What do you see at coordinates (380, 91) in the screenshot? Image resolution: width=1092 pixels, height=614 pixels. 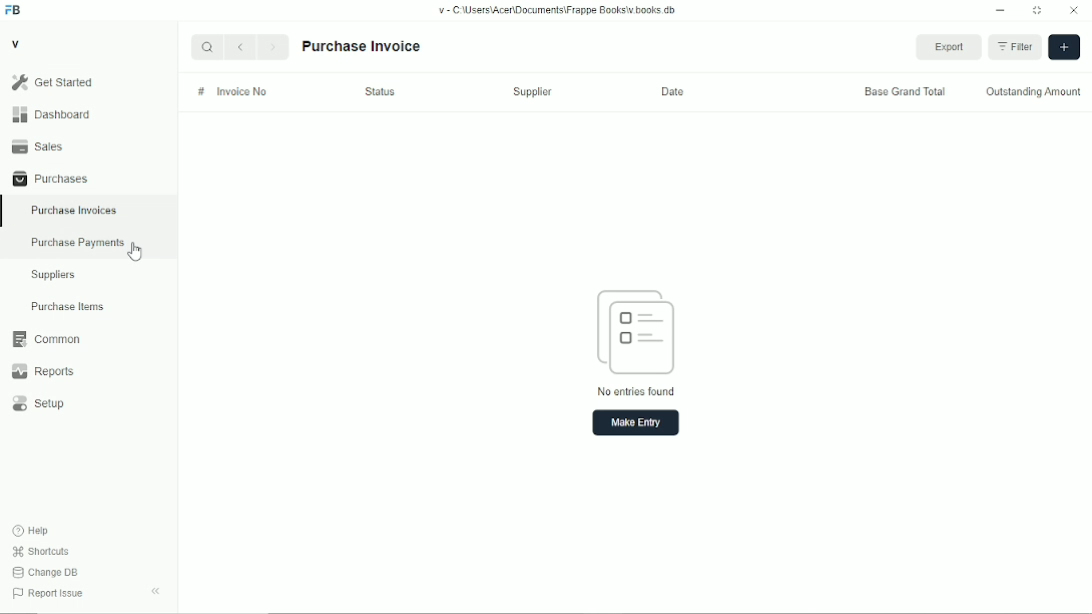 I see `Status` at bounding box center [380, 91].